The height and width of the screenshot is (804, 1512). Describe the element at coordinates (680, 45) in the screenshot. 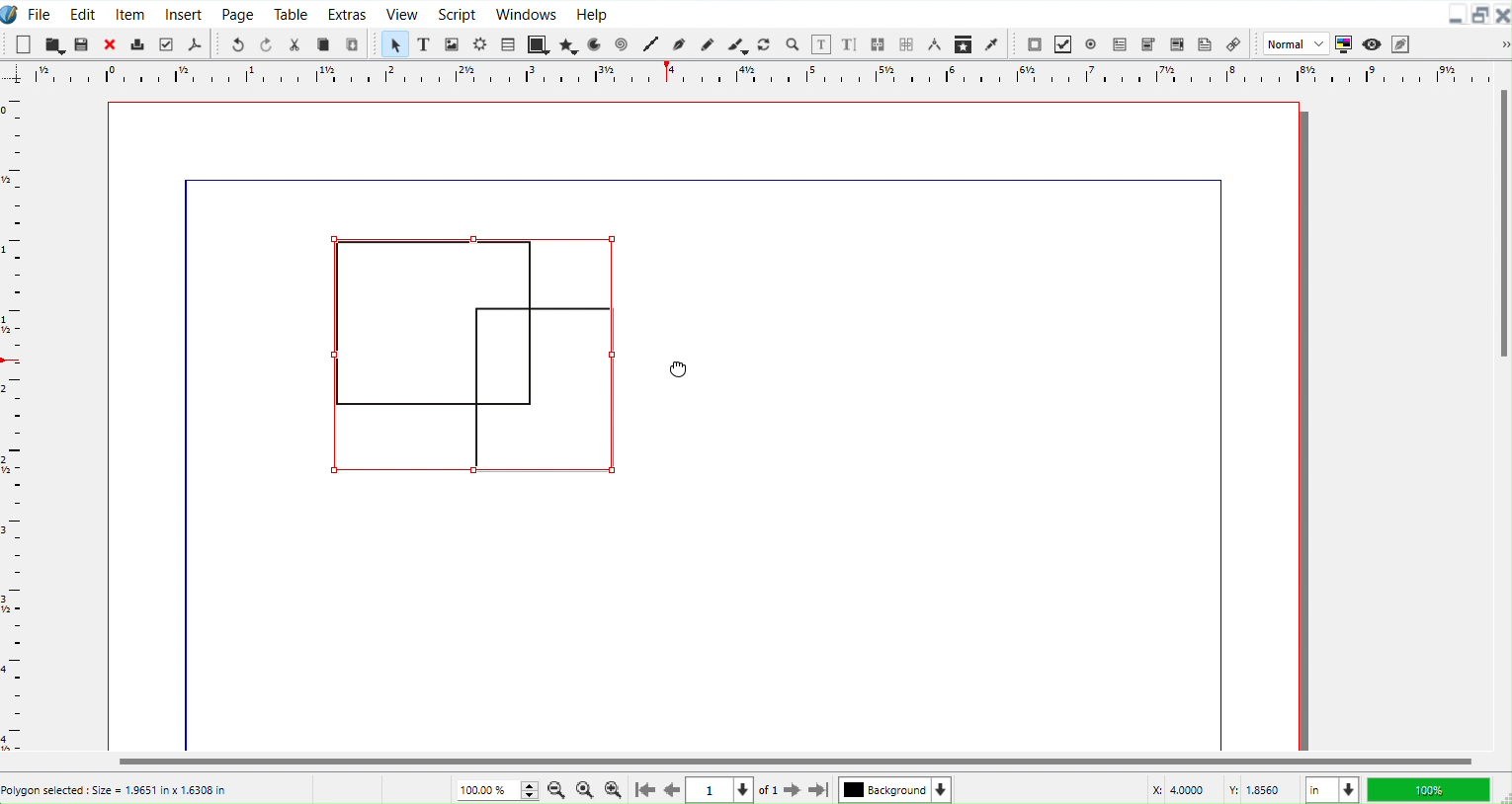

I see `Bezier curve` at that location.